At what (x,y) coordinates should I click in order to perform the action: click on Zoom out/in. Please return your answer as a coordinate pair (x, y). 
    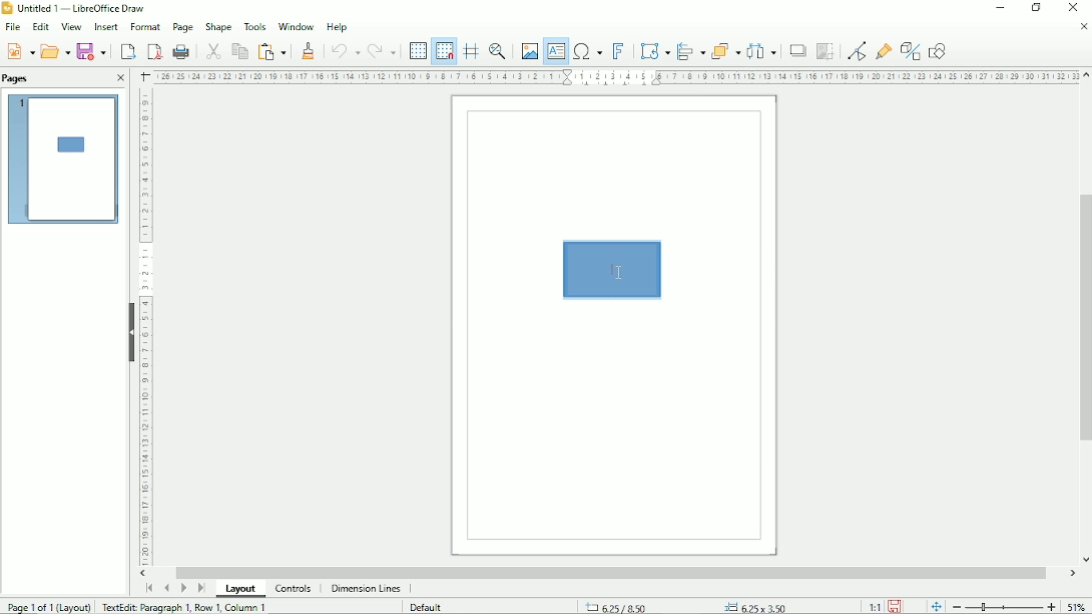
    Looking at the image, I should click on (1005, 607).